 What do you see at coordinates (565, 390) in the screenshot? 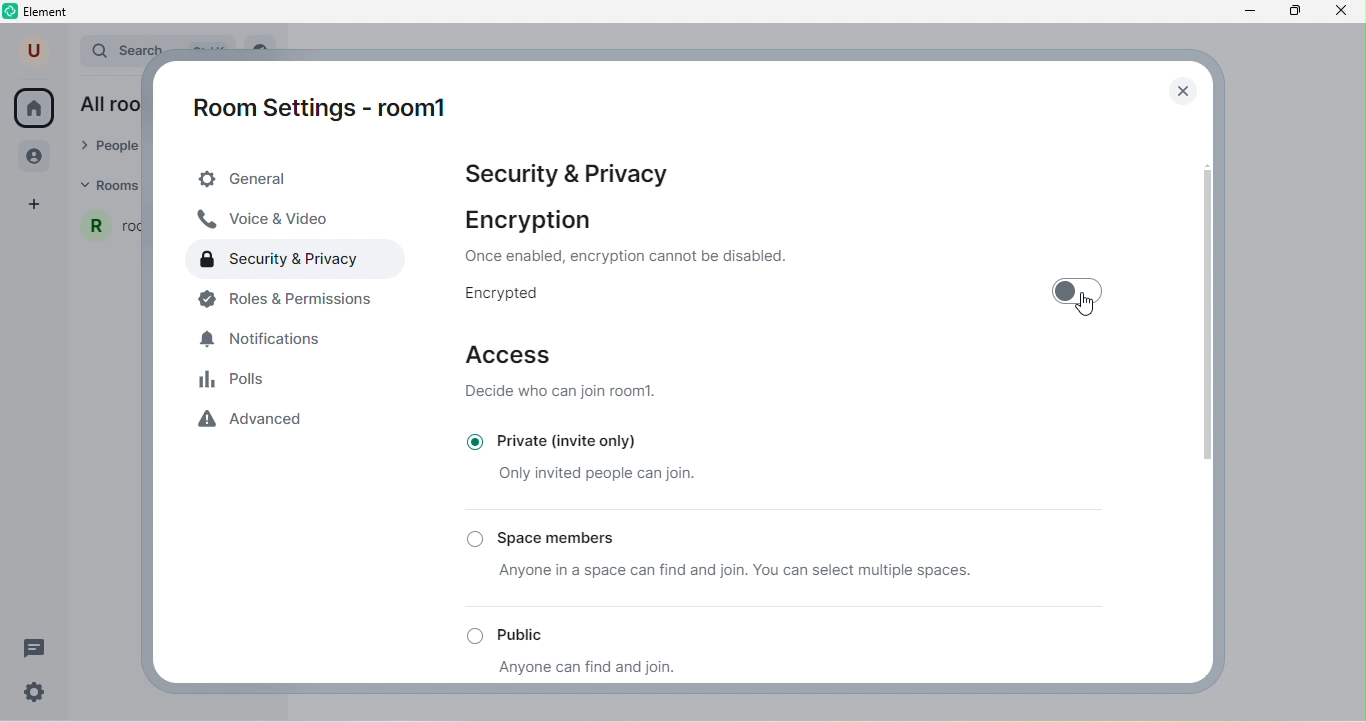
I see `decide who can join` at bounding box center [565, 390].